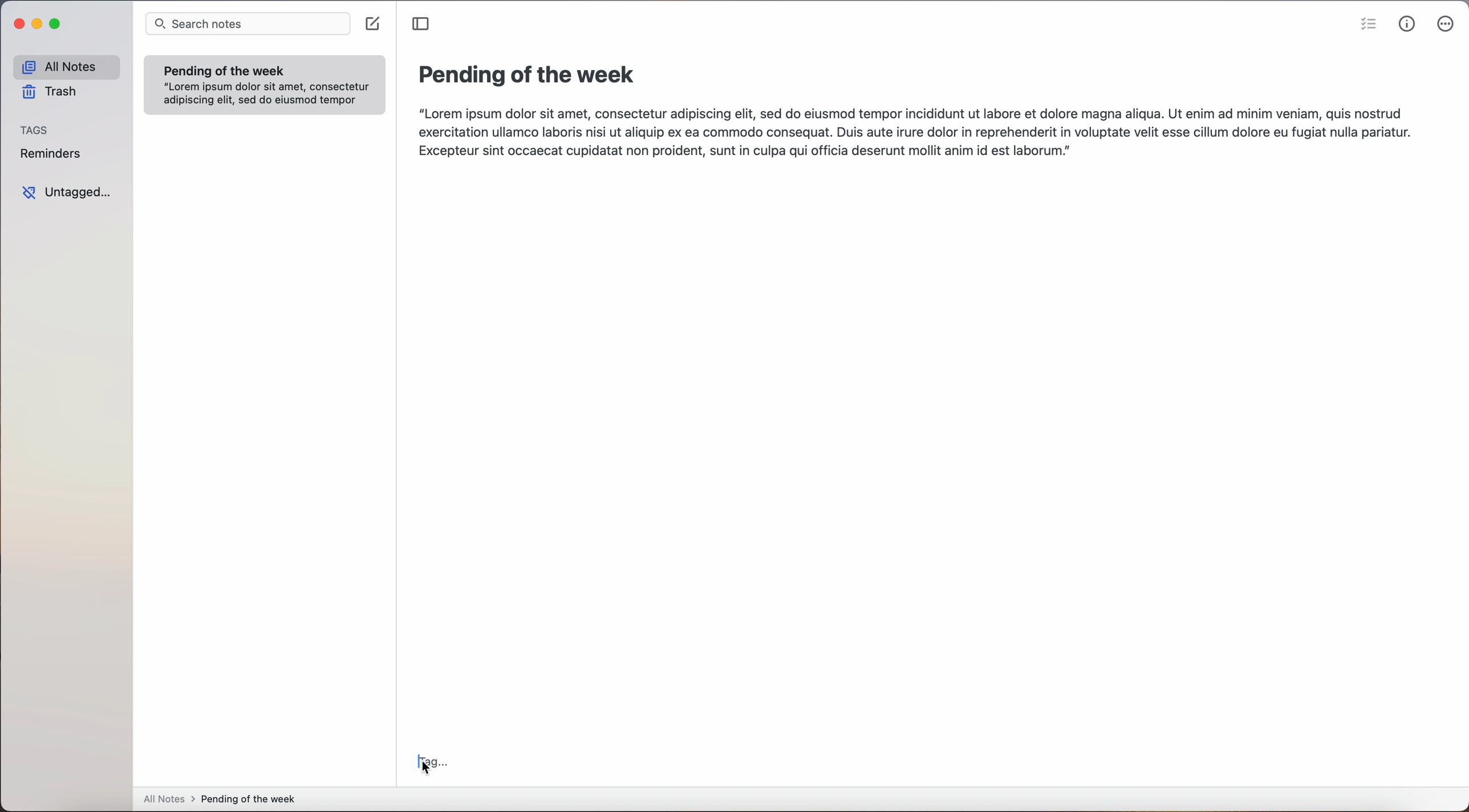 Image resolution: width=1469 pixels, height=812 pixels. I want to click on untagged, so click(69, 194).